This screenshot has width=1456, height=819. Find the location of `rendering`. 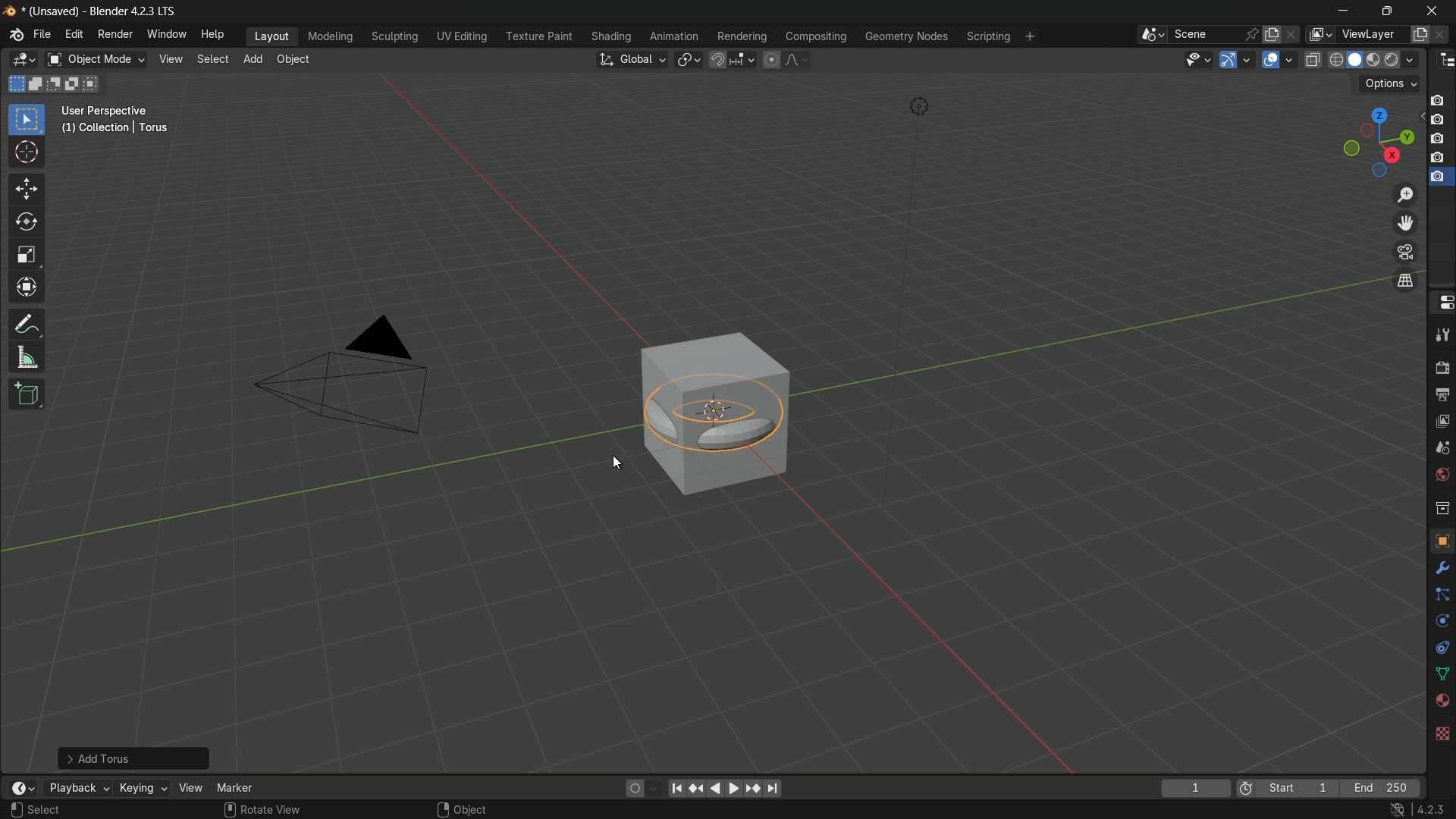

rendering is located at coordinates (742, 37).